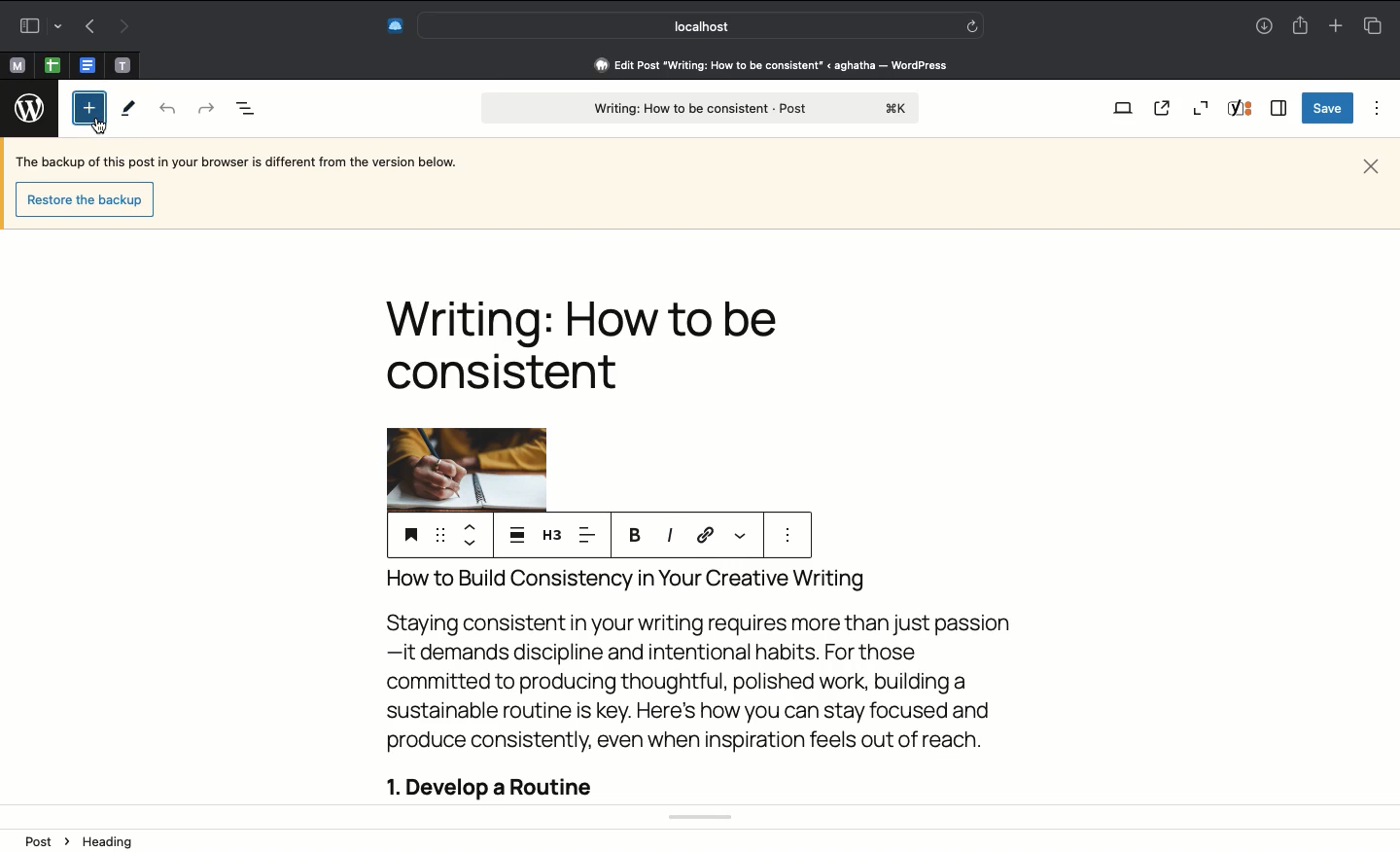  I want to click on View, so click(1119, 110).